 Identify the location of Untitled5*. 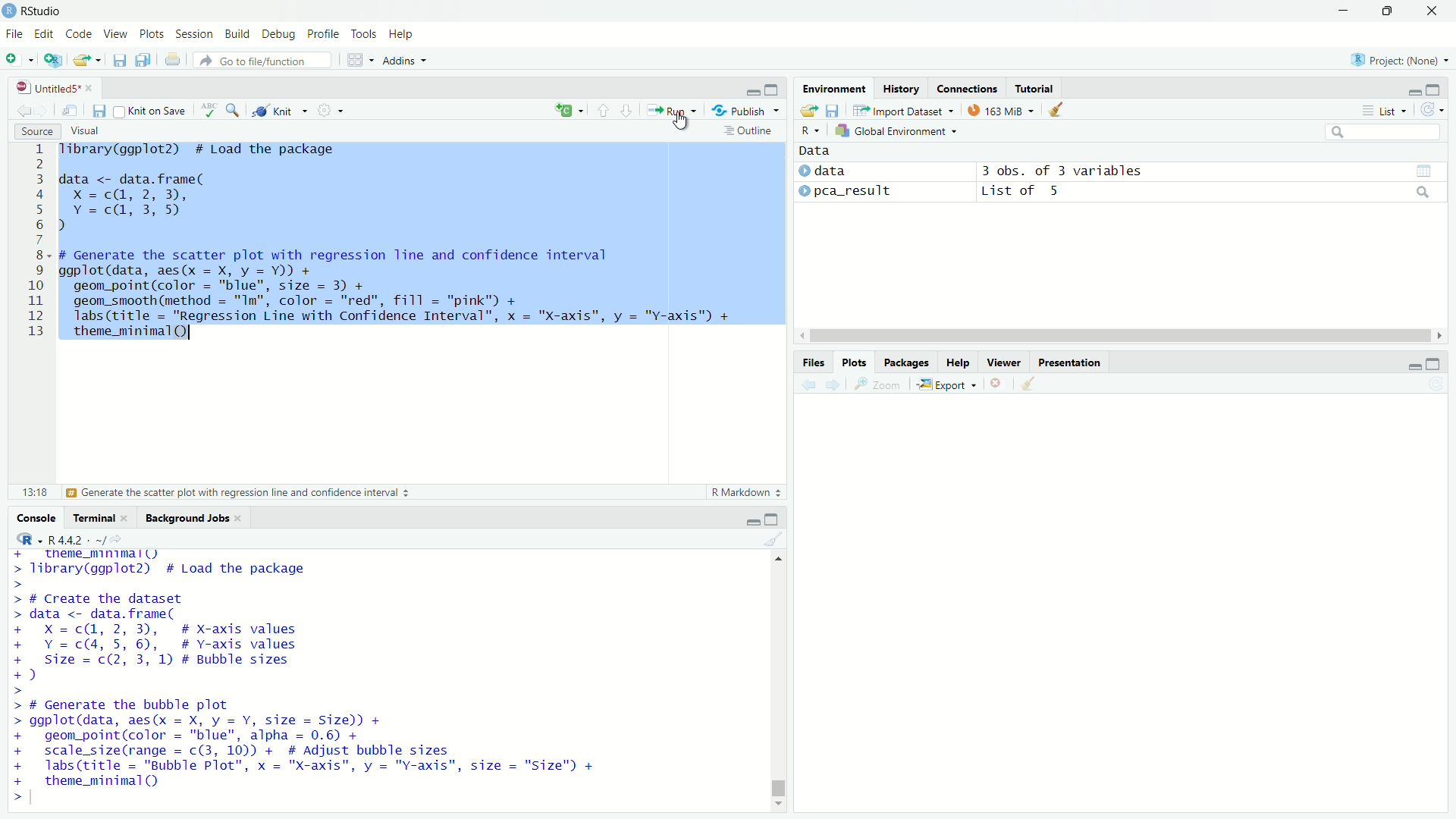
(48, 87).